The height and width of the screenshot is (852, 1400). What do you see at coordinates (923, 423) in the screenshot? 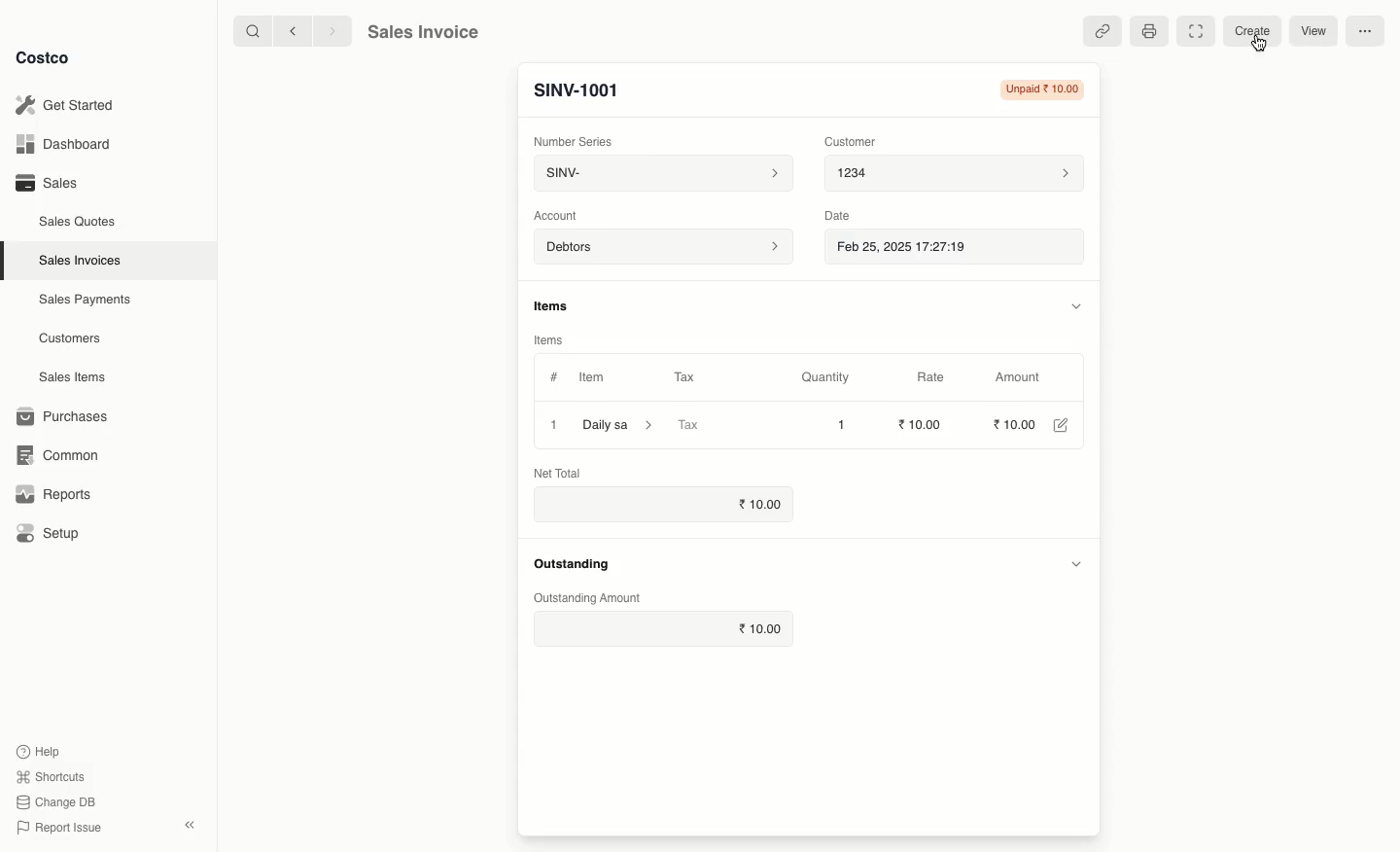
I see `10.00` at bounding box center [923, 423].